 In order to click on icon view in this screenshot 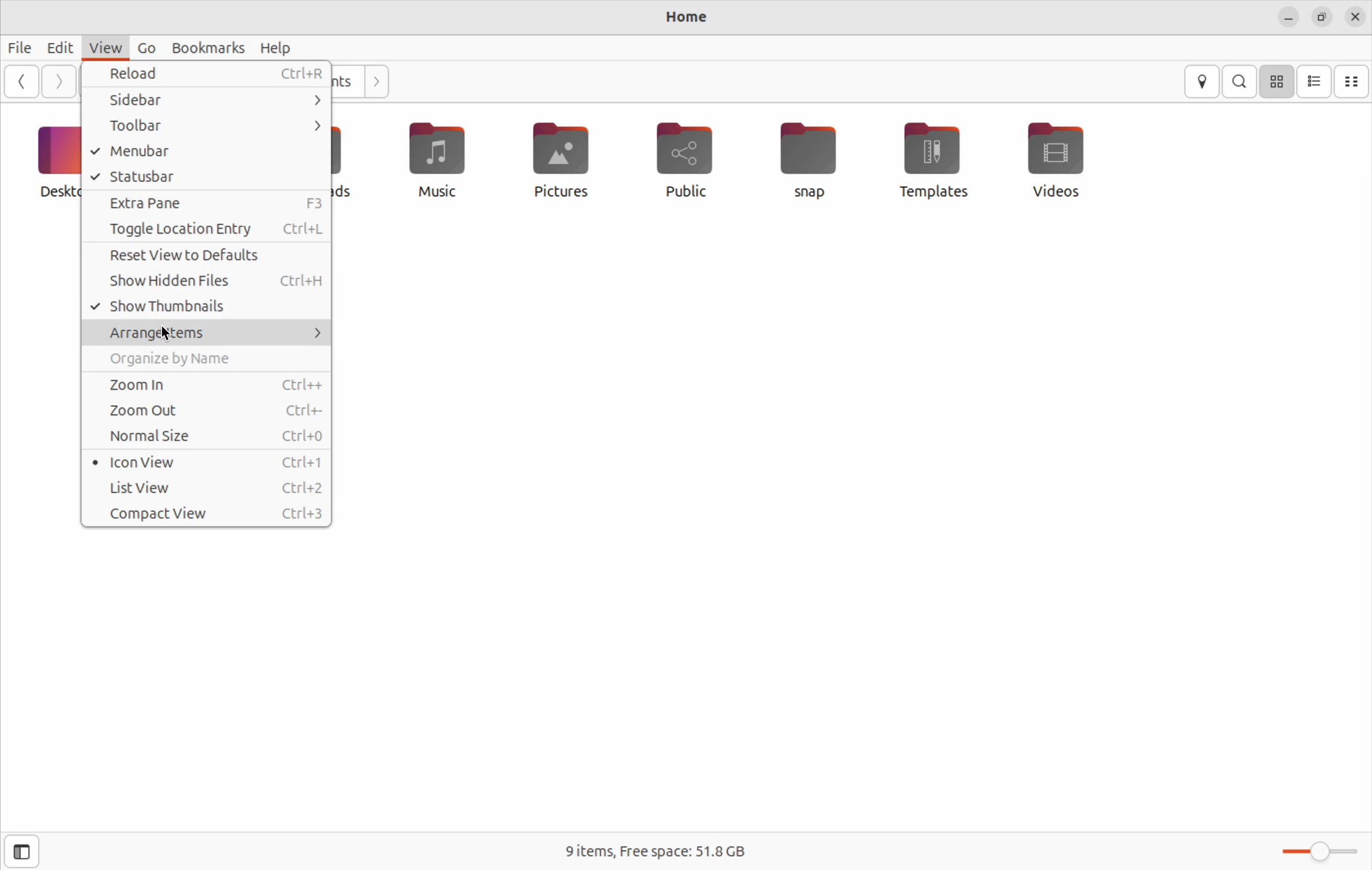, I will do `click(209, 461)`.